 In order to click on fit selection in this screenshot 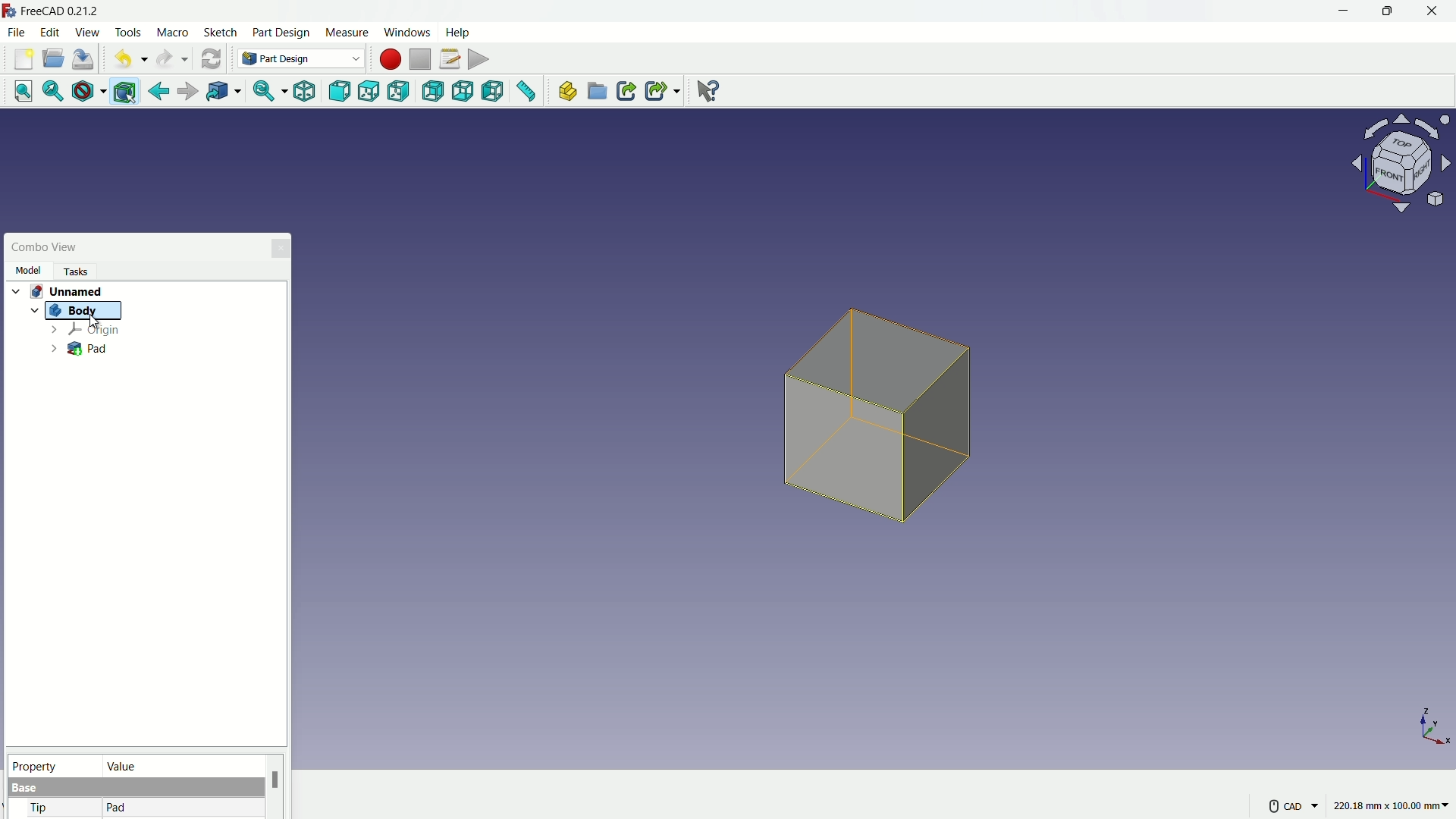, I will do `click(49, 92)`.